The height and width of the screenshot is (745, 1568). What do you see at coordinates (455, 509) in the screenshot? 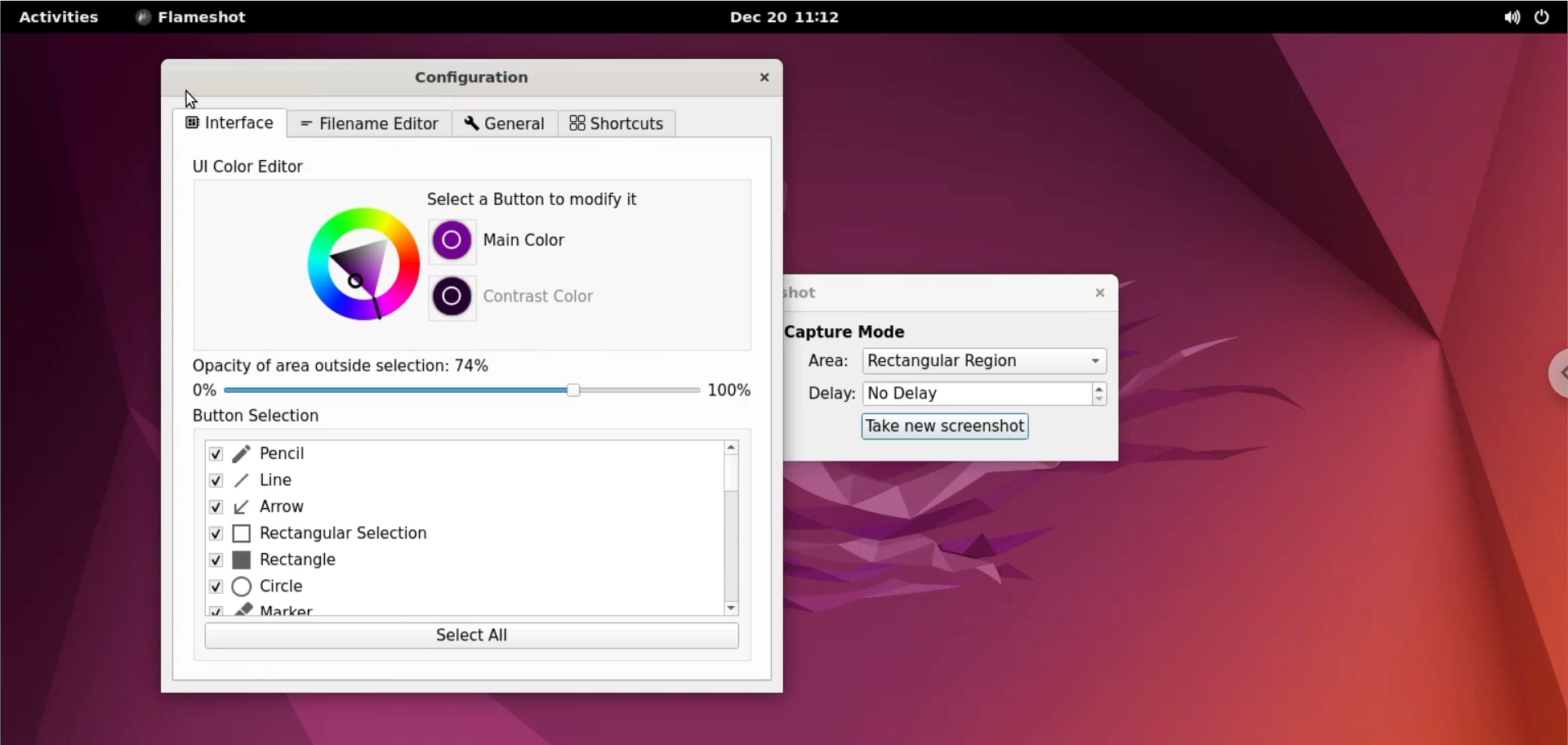
I see `arrow checkbox` at bounding box center [455, 509].